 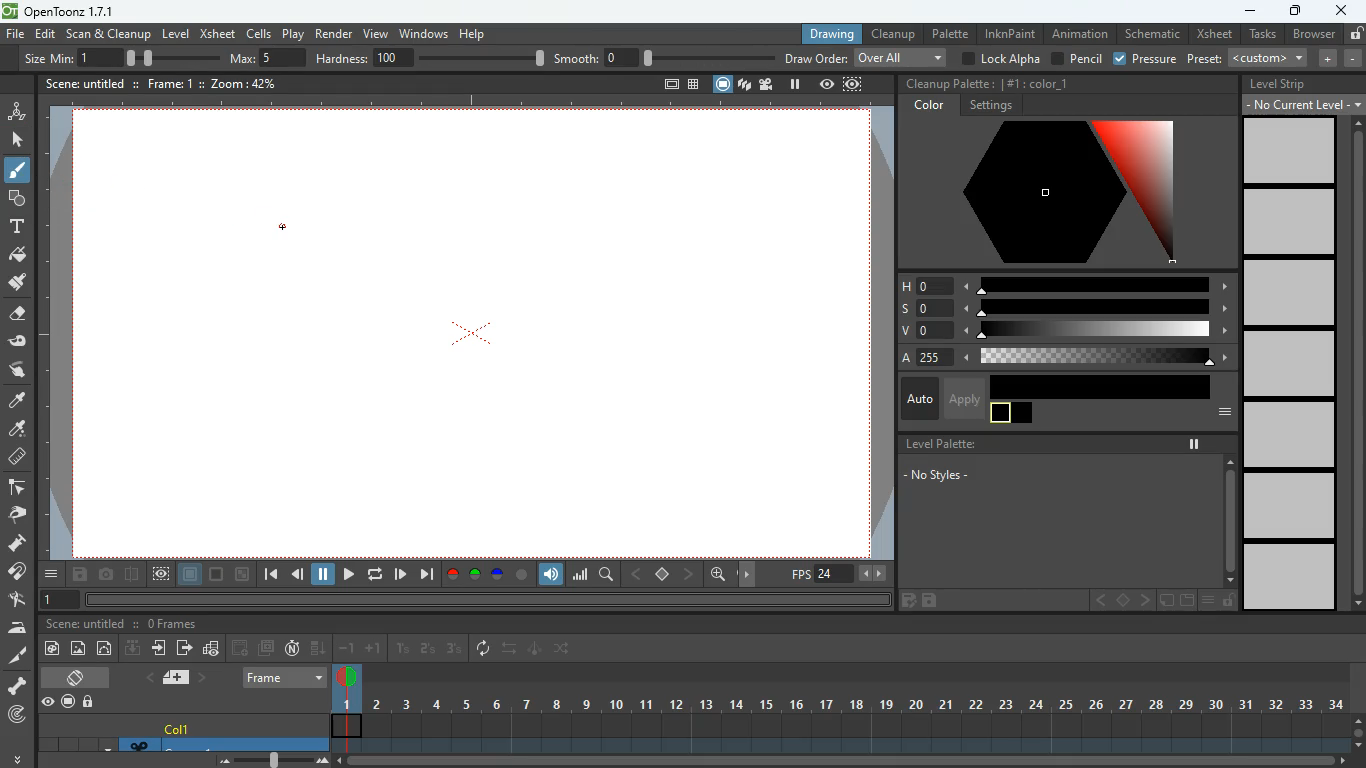 I want to click on zoom, so click(x=246, y=83).